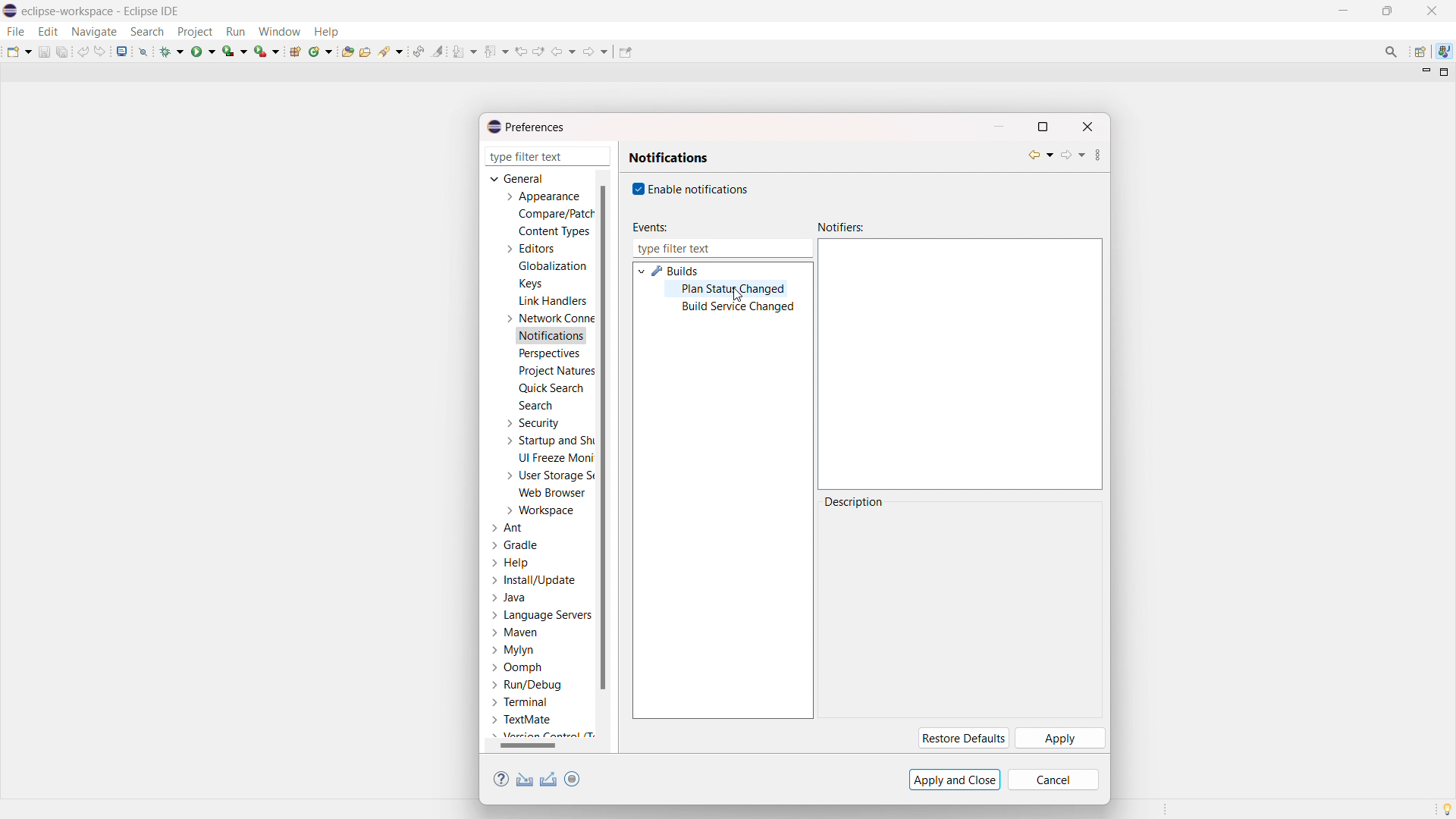  What do you see at coordinates (322, 51) in the screenshot?
I see `new java class` at bounding box center [322, 51].